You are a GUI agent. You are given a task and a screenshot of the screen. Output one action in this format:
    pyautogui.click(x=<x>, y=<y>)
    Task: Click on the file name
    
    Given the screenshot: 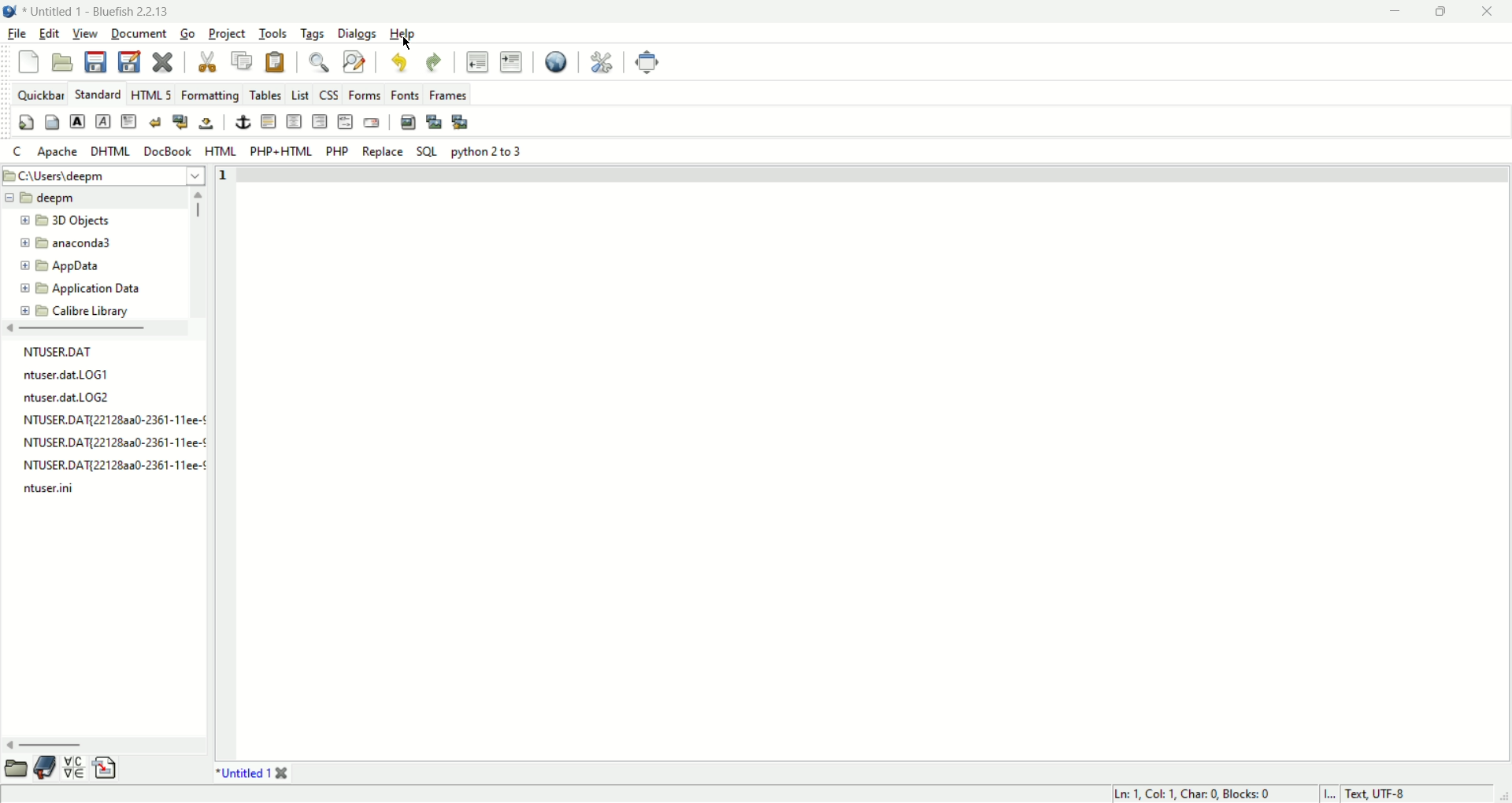 What is the action you would take?
    pyautogui.click(x=114, y=462)
    